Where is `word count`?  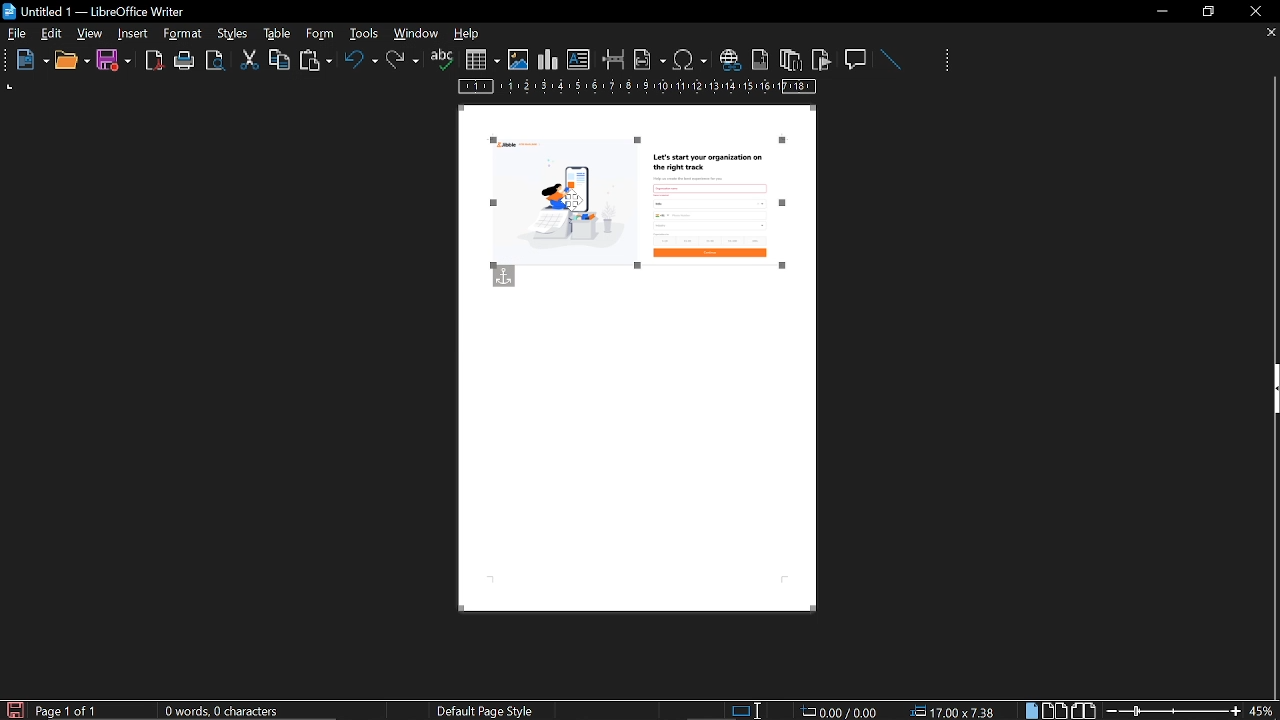 word count is located at coordinates (229, 711).